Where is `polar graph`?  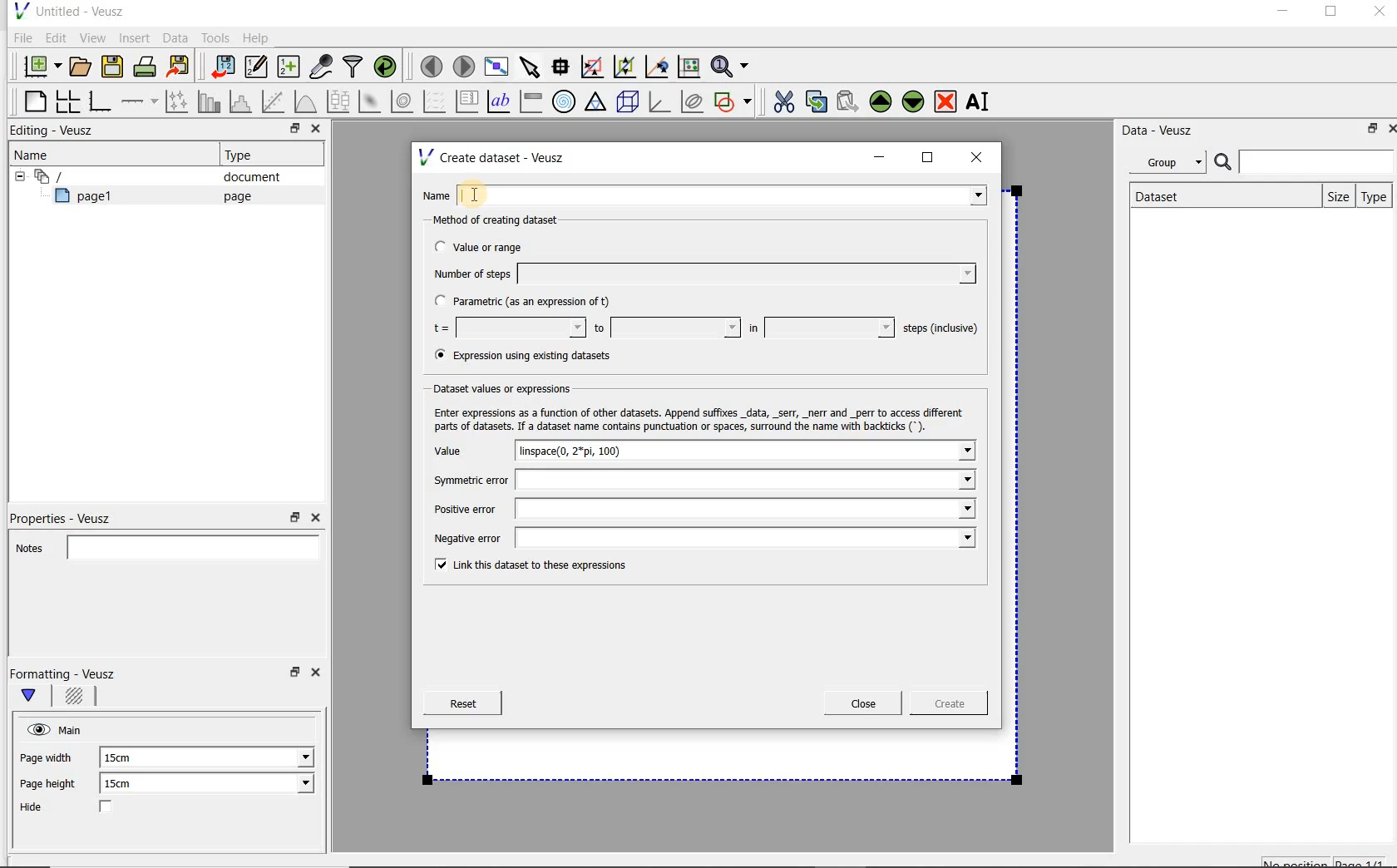
polar graph is located at coordinates (565, 101).